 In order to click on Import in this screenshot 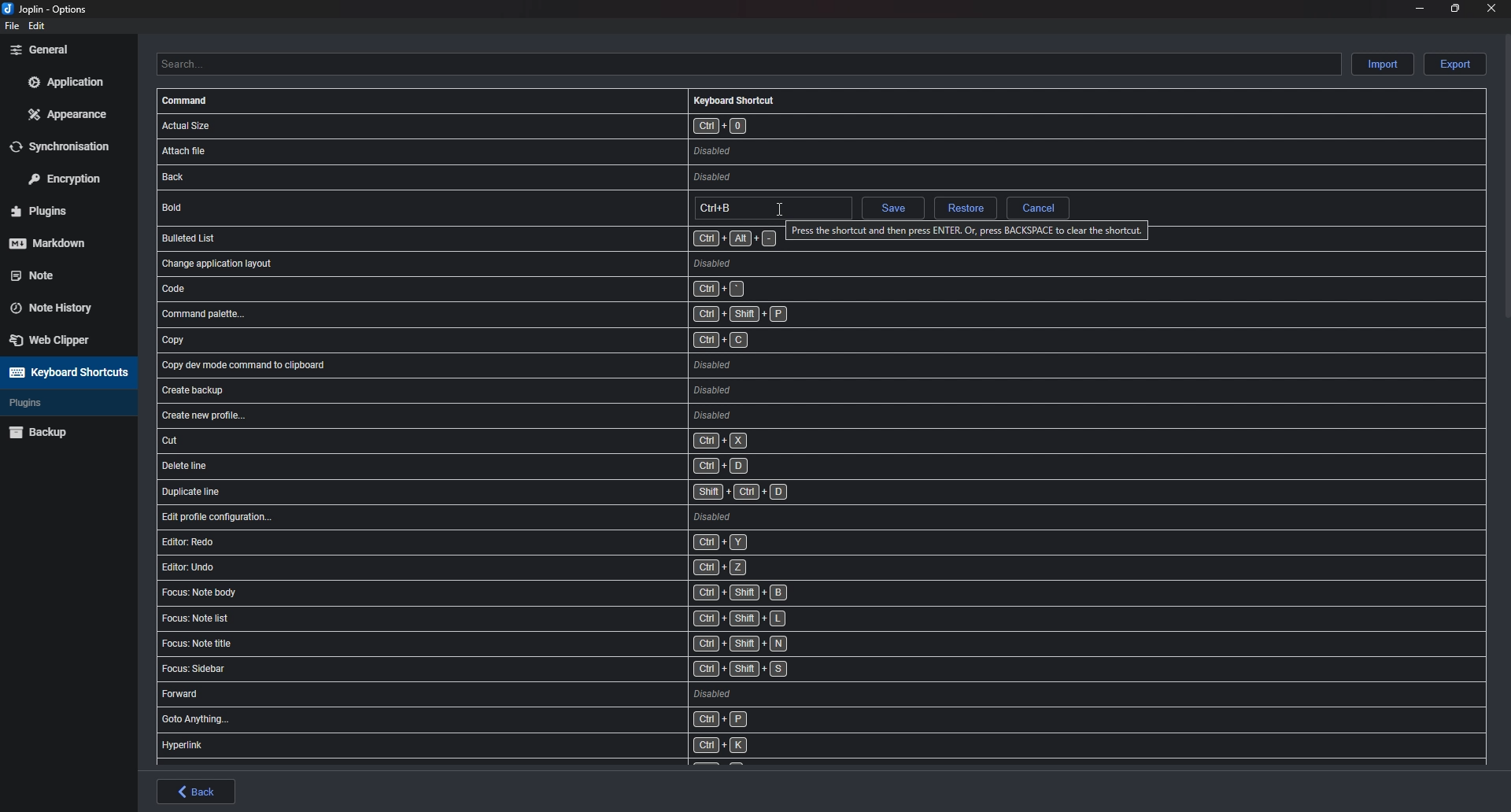, I will do `click(1384, 63)`.